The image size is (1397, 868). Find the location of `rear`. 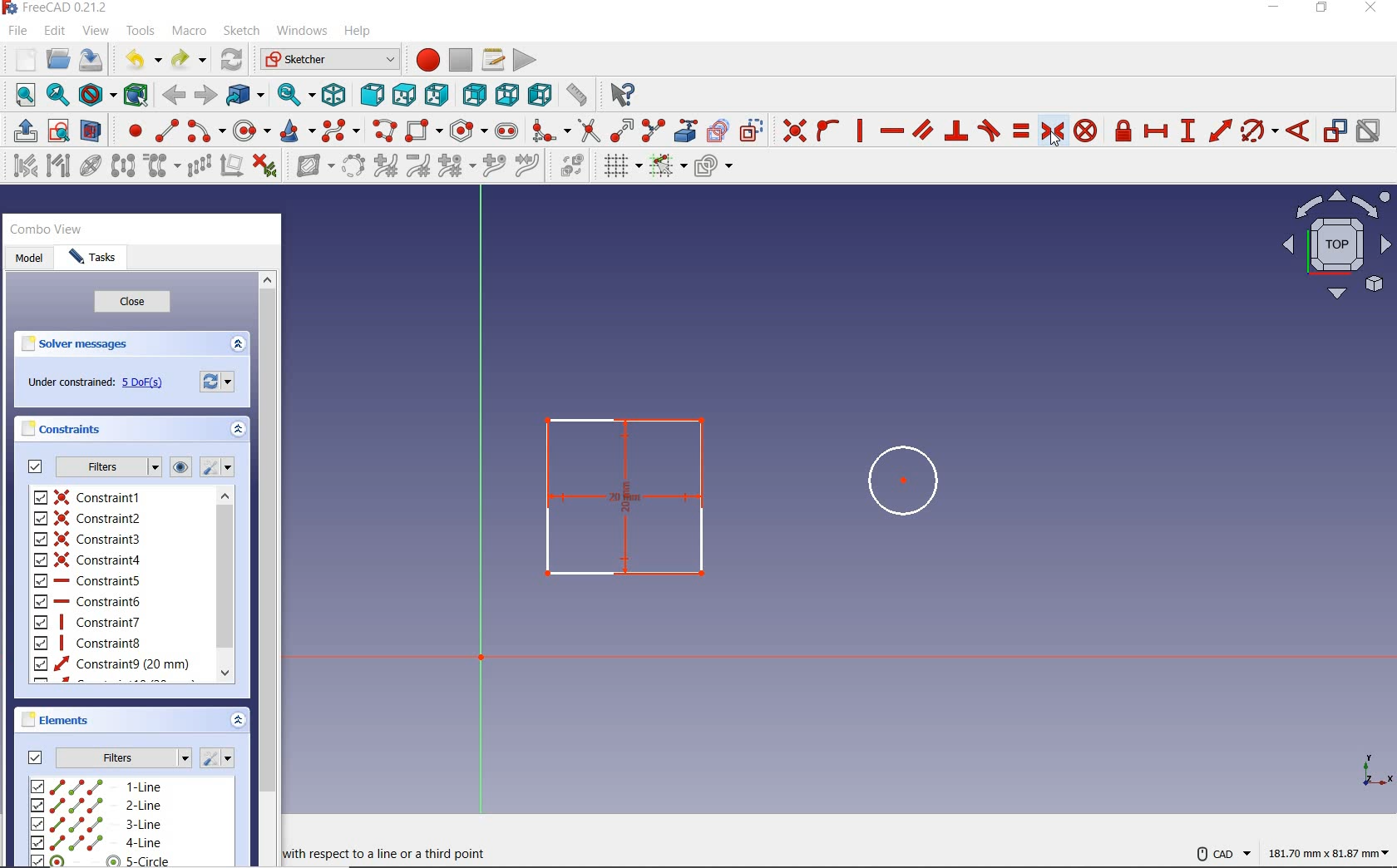

rear is located at coordinates (473, 95).